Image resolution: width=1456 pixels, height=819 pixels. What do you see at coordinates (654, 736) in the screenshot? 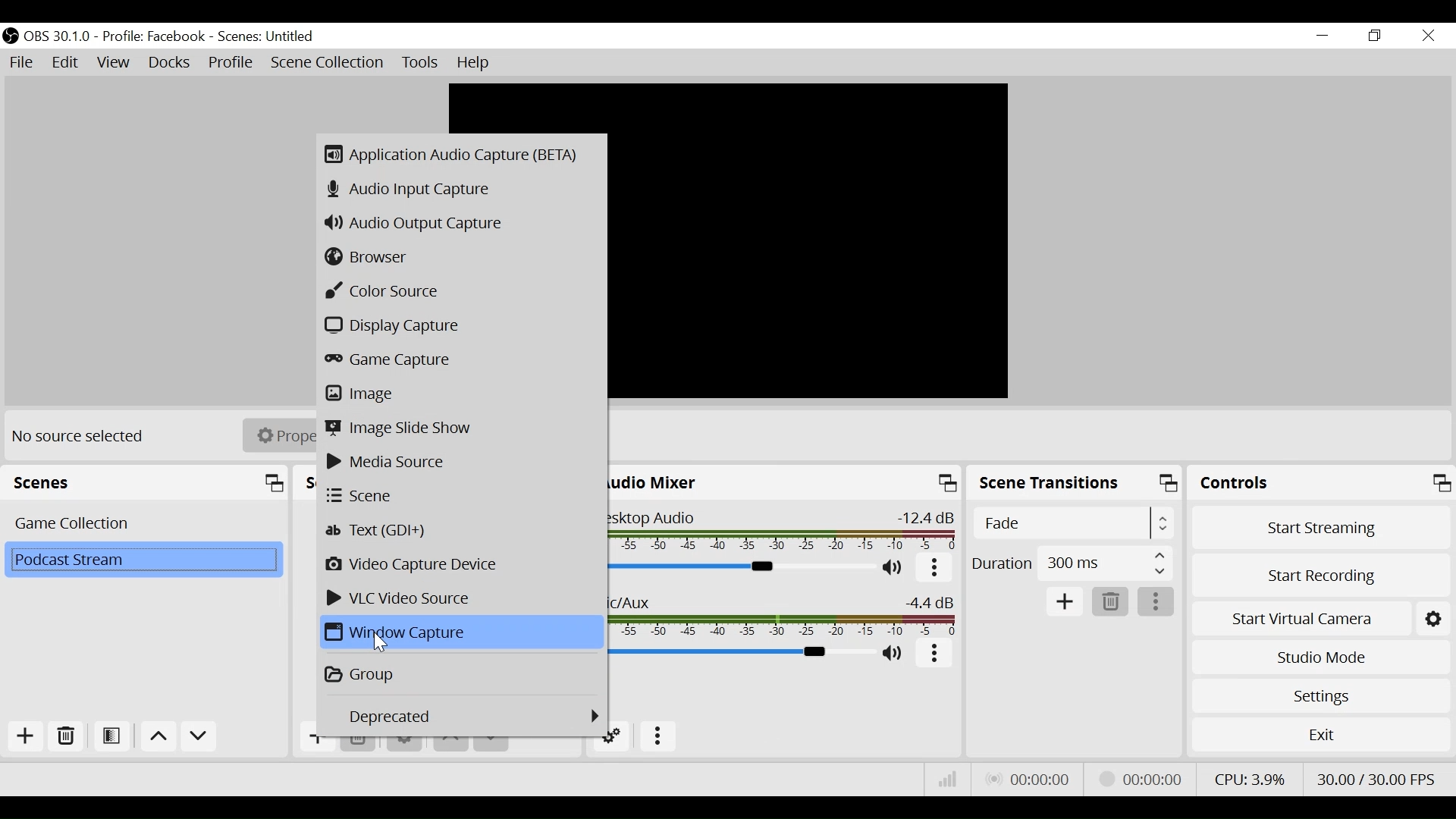
I see `More Options` at bounding box center [654, 736].